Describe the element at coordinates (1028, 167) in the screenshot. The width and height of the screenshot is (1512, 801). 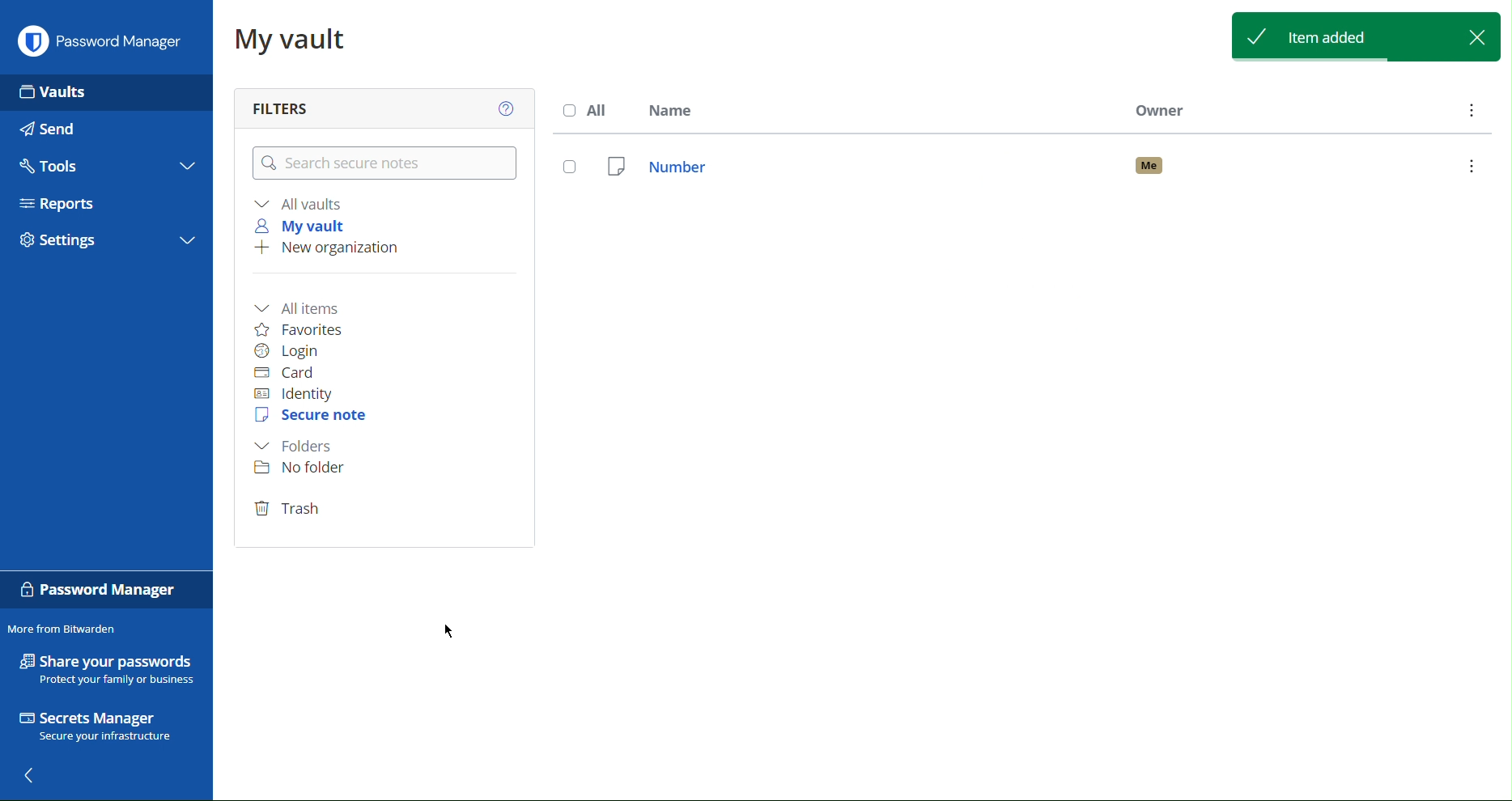
I see `Secure Note` at that location.